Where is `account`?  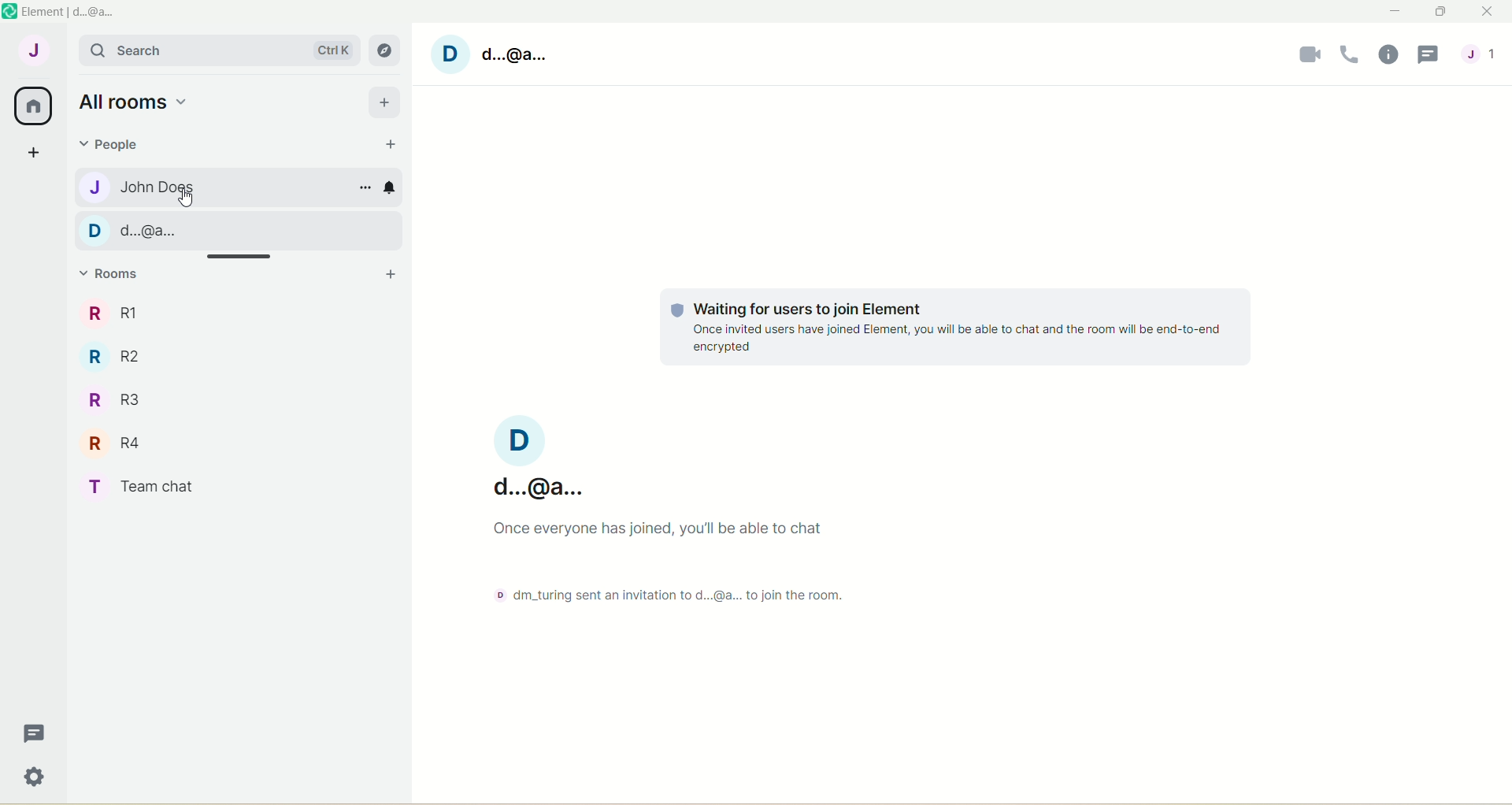 account is located at coordinates (498, 54).